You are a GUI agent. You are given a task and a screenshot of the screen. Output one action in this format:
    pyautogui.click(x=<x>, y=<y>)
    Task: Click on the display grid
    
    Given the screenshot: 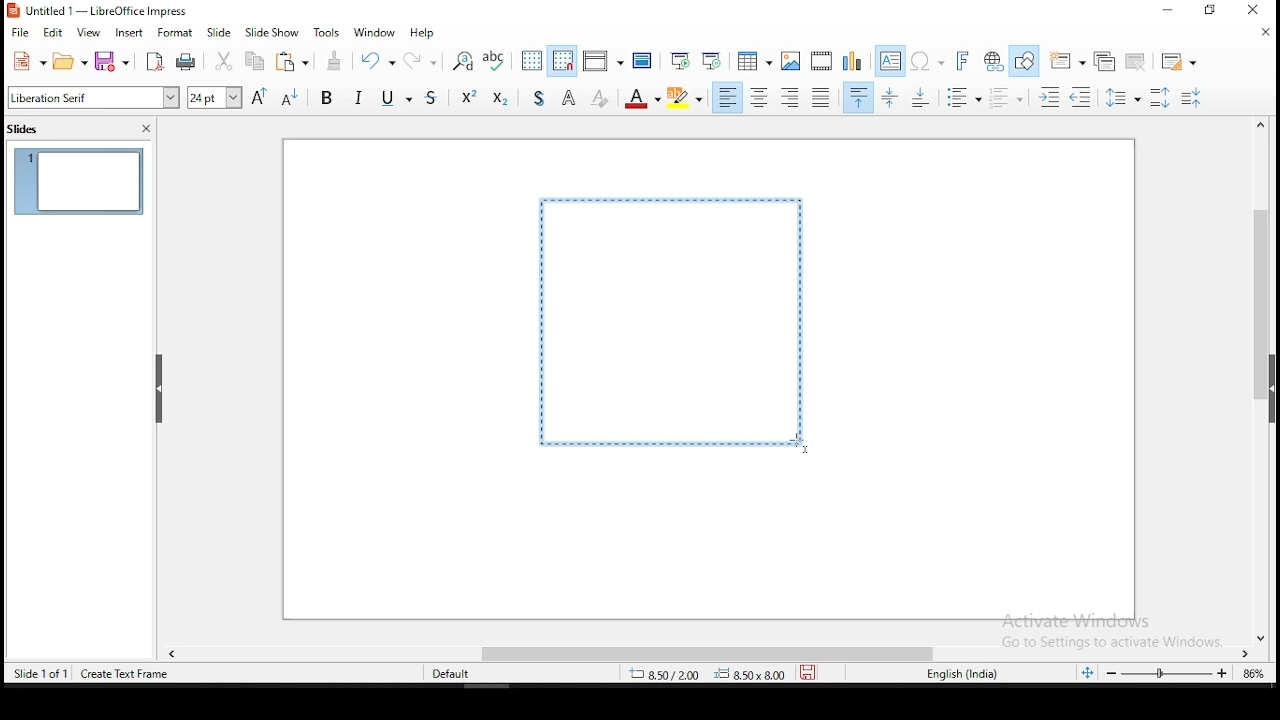 What is the action you would take?
    pyautogui.click(x=528, y=60)
    